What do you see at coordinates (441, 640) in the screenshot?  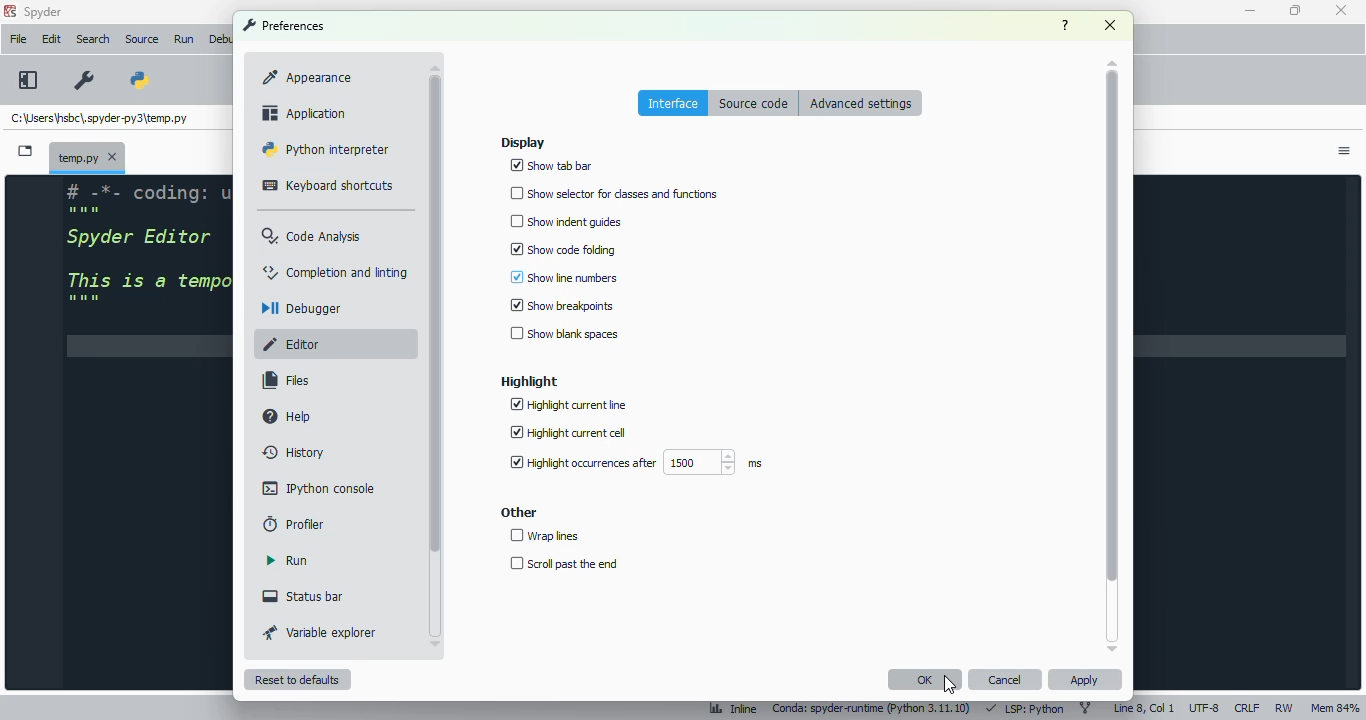 I see `Down` at bounding box center [441, 640].